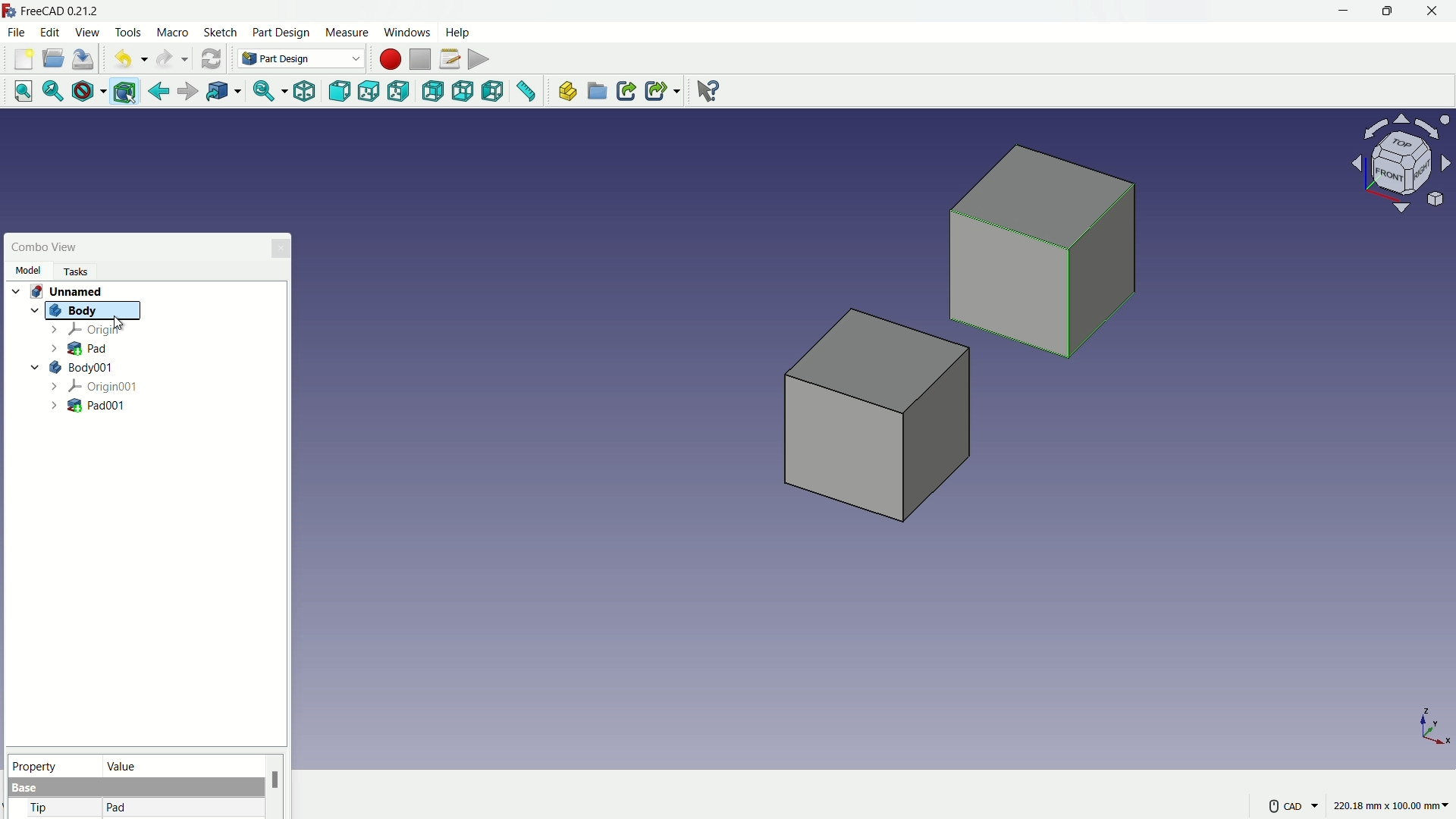 The width and height of the screenshot is (1456, 819). I want to click on tools, so click(130, 33).